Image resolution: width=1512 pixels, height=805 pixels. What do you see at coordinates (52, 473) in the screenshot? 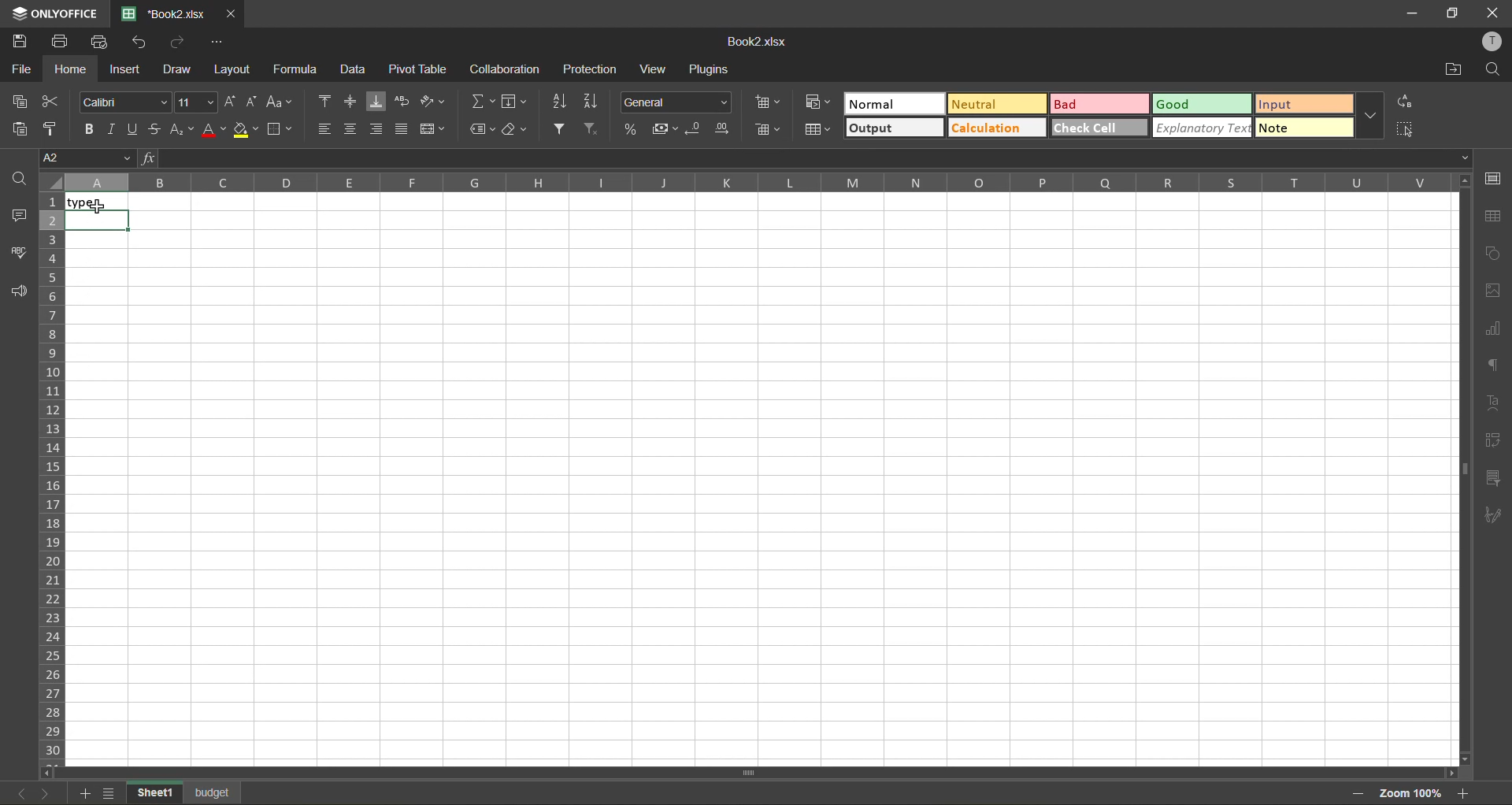
I see `row numbers` at bounding box center [52, 473].